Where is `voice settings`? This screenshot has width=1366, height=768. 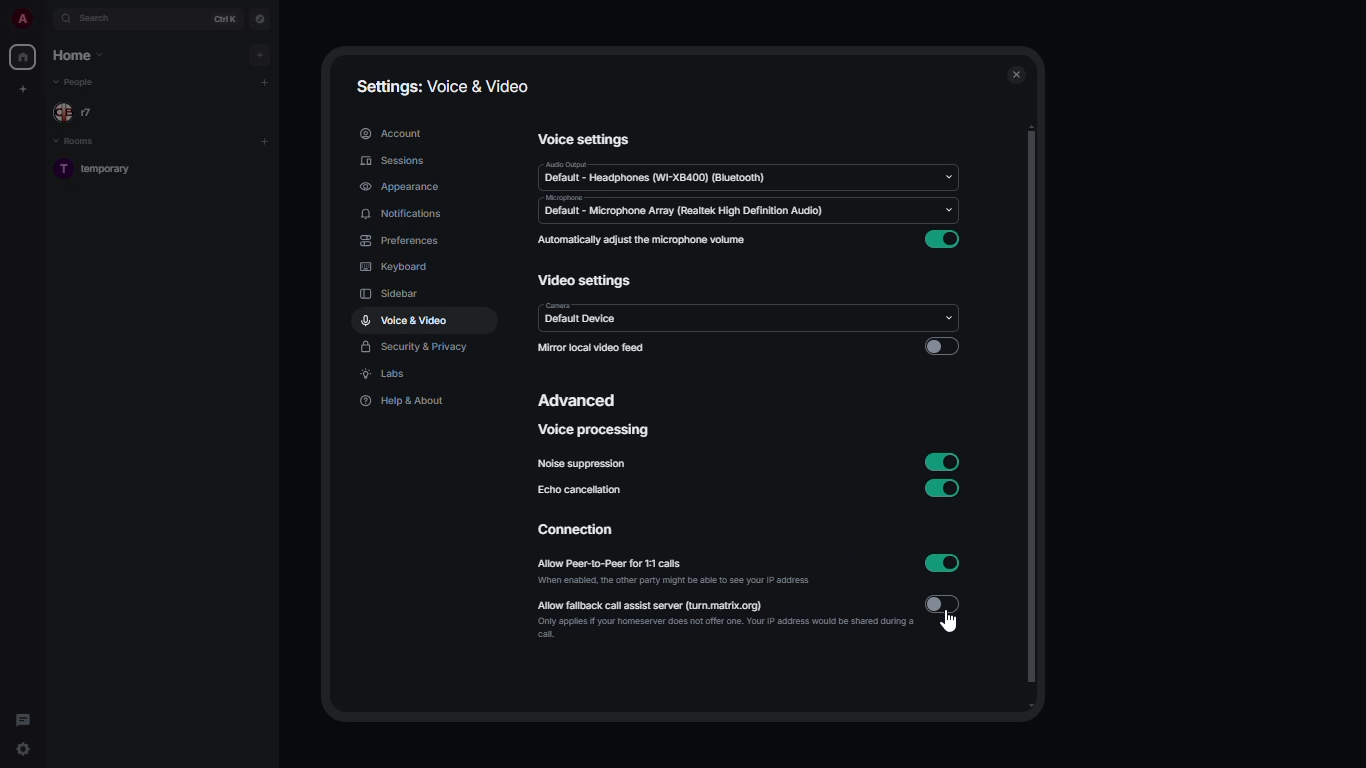 voice settings is located at coordinates (587, 140).